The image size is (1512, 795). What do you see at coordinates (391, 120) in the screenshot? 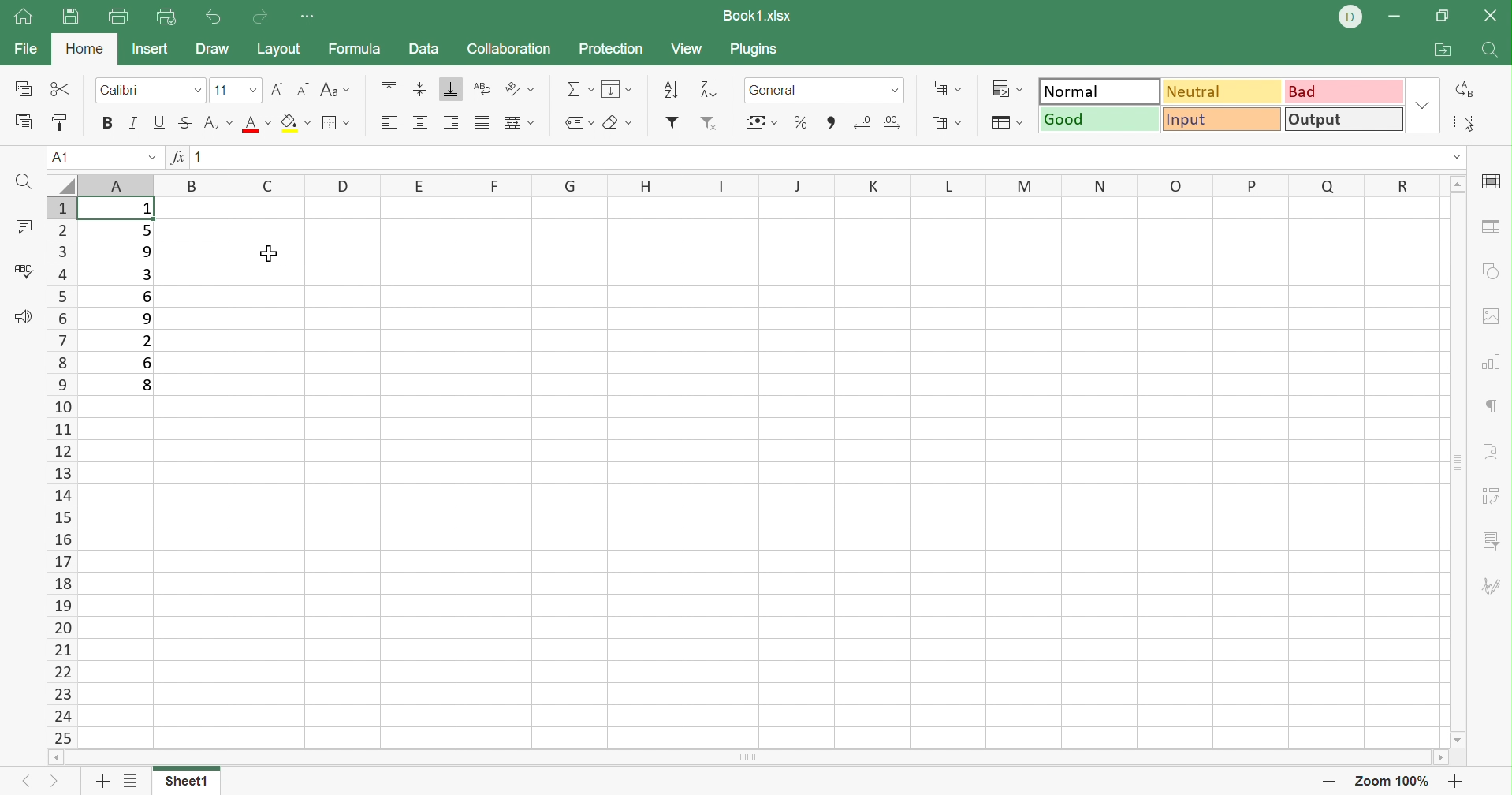
I see `Align left` at bounding box center [391, 120].